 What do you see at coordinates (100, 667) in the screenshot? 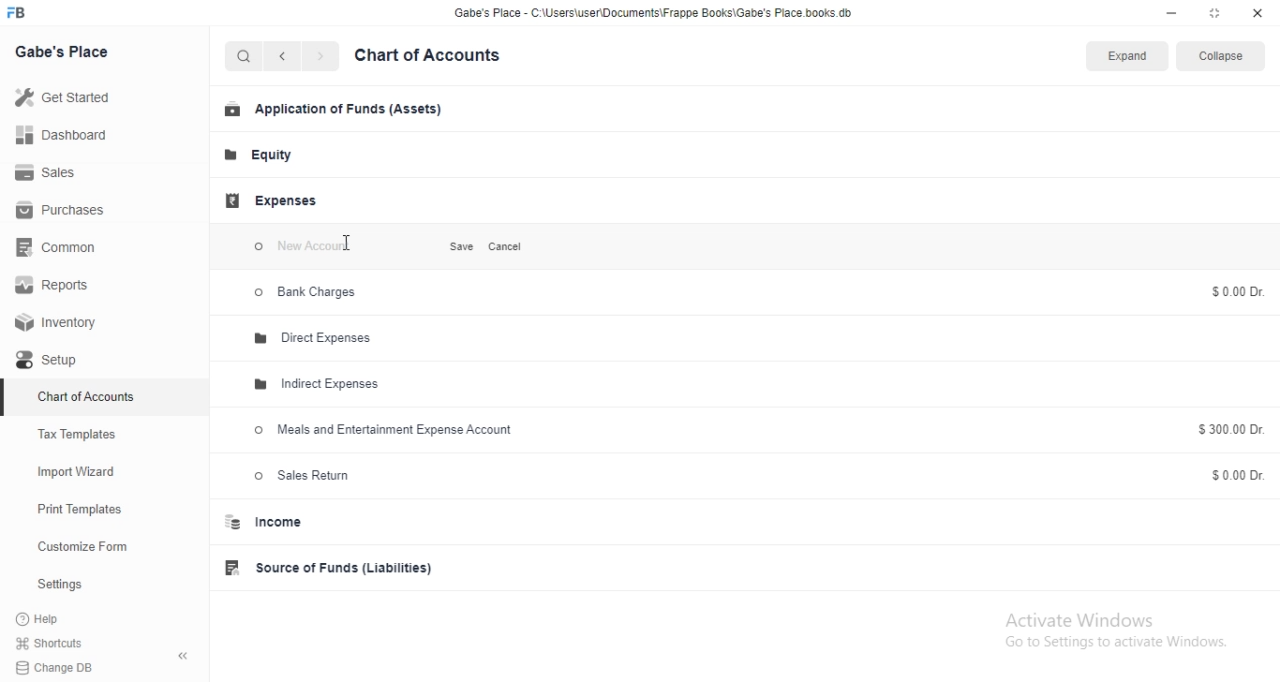
I see `Change DB` at bounding box center [100, 667].